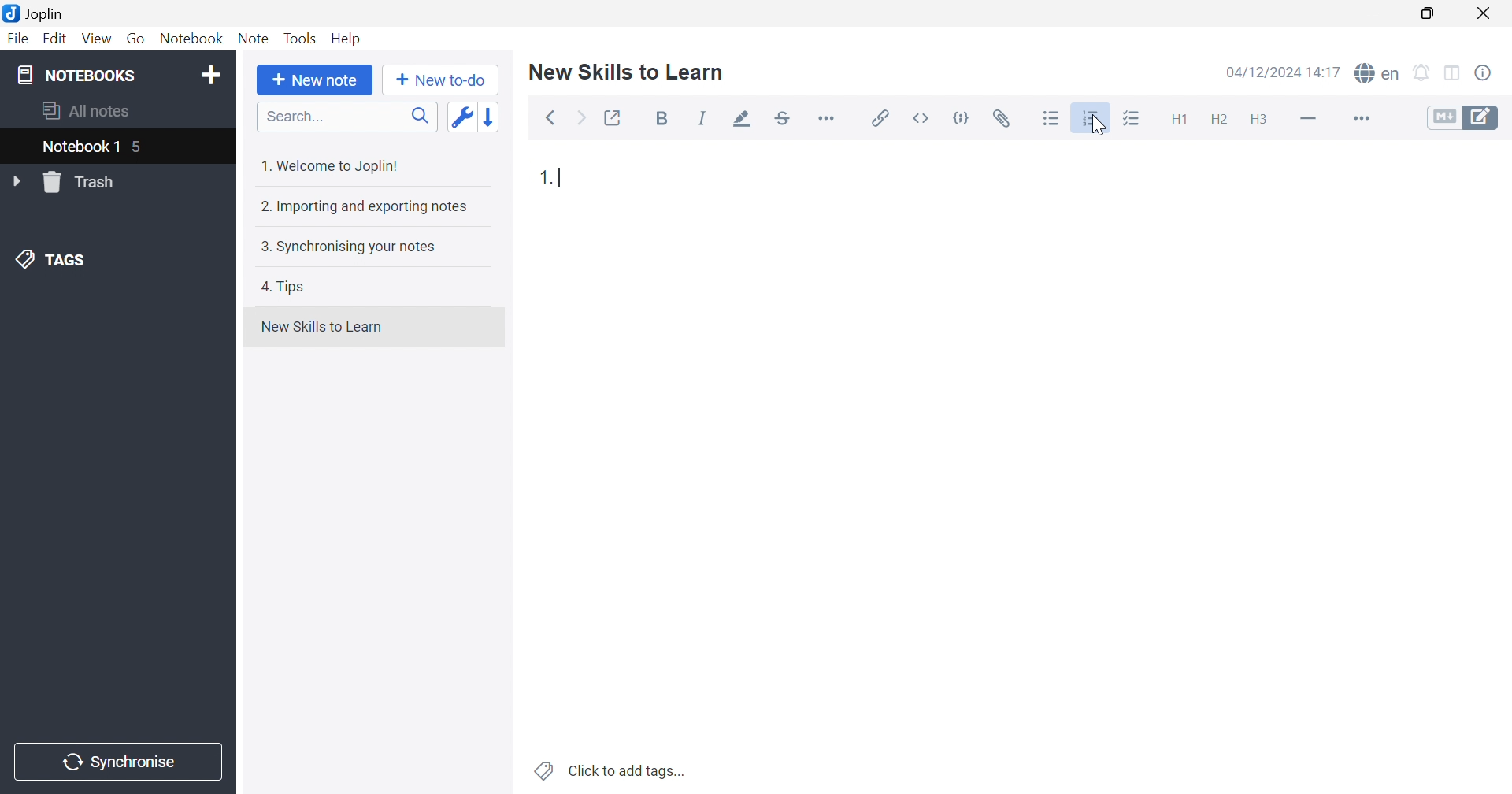 The height and width of the screenshot is (794, 1512). I want to click on Inline code, so click(924, 118).